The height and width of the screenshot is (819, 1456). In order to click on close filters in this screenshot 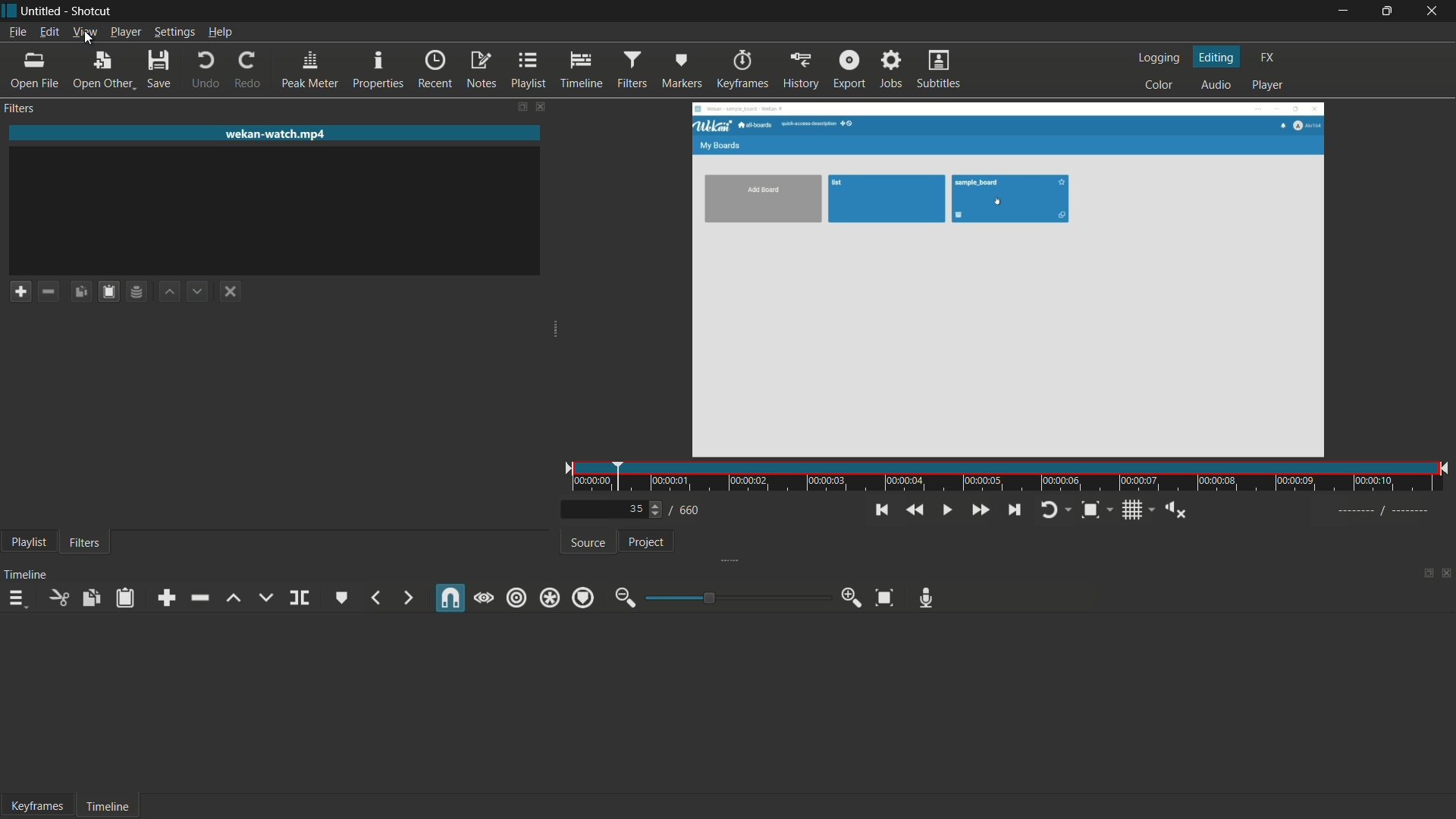, I will do `click(539, 106)`.